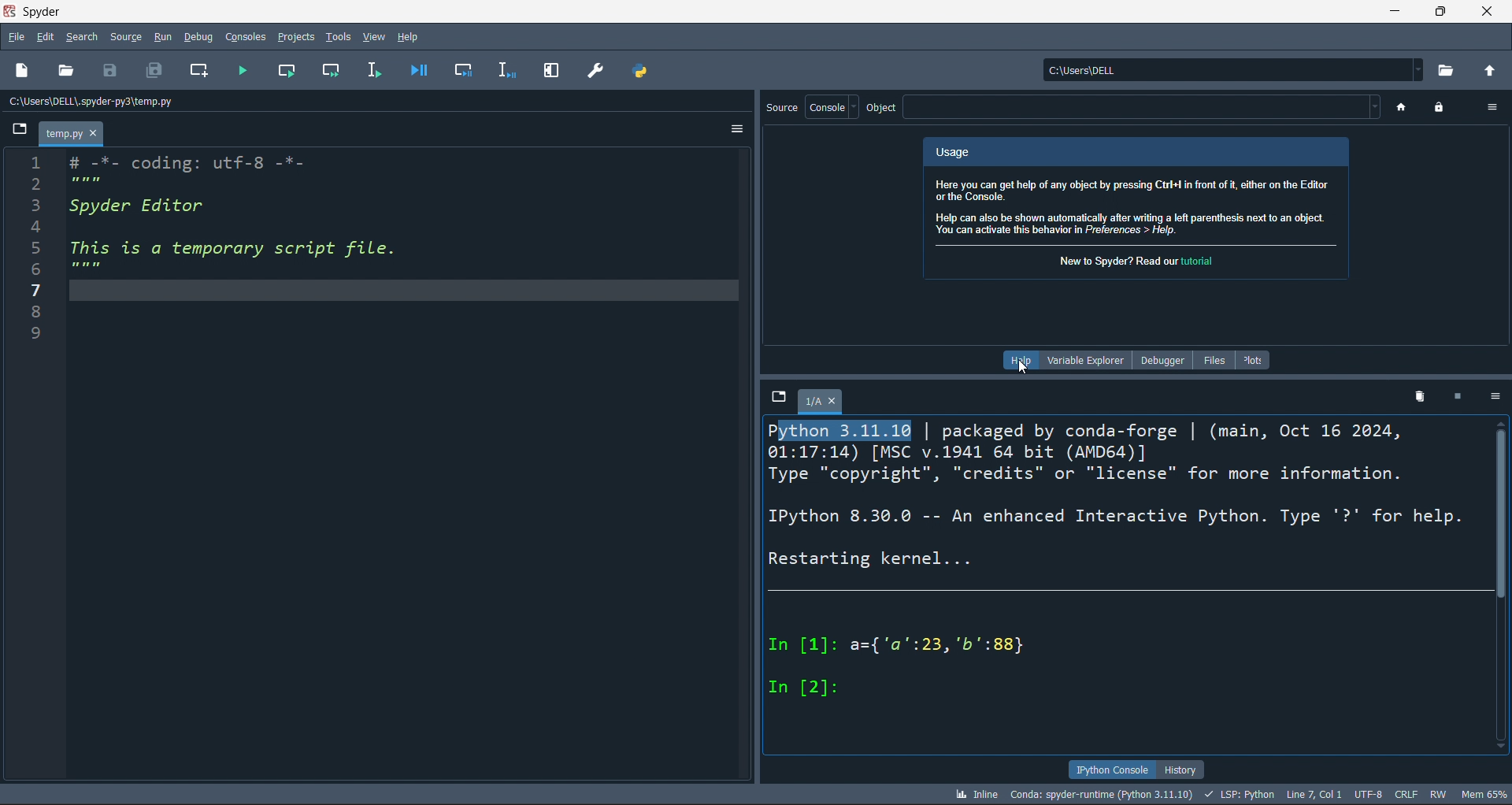  What do you see at coordinates (1440, 109) in the screenshot?
I see `(un)lock` at bounding box center [1440, 109].